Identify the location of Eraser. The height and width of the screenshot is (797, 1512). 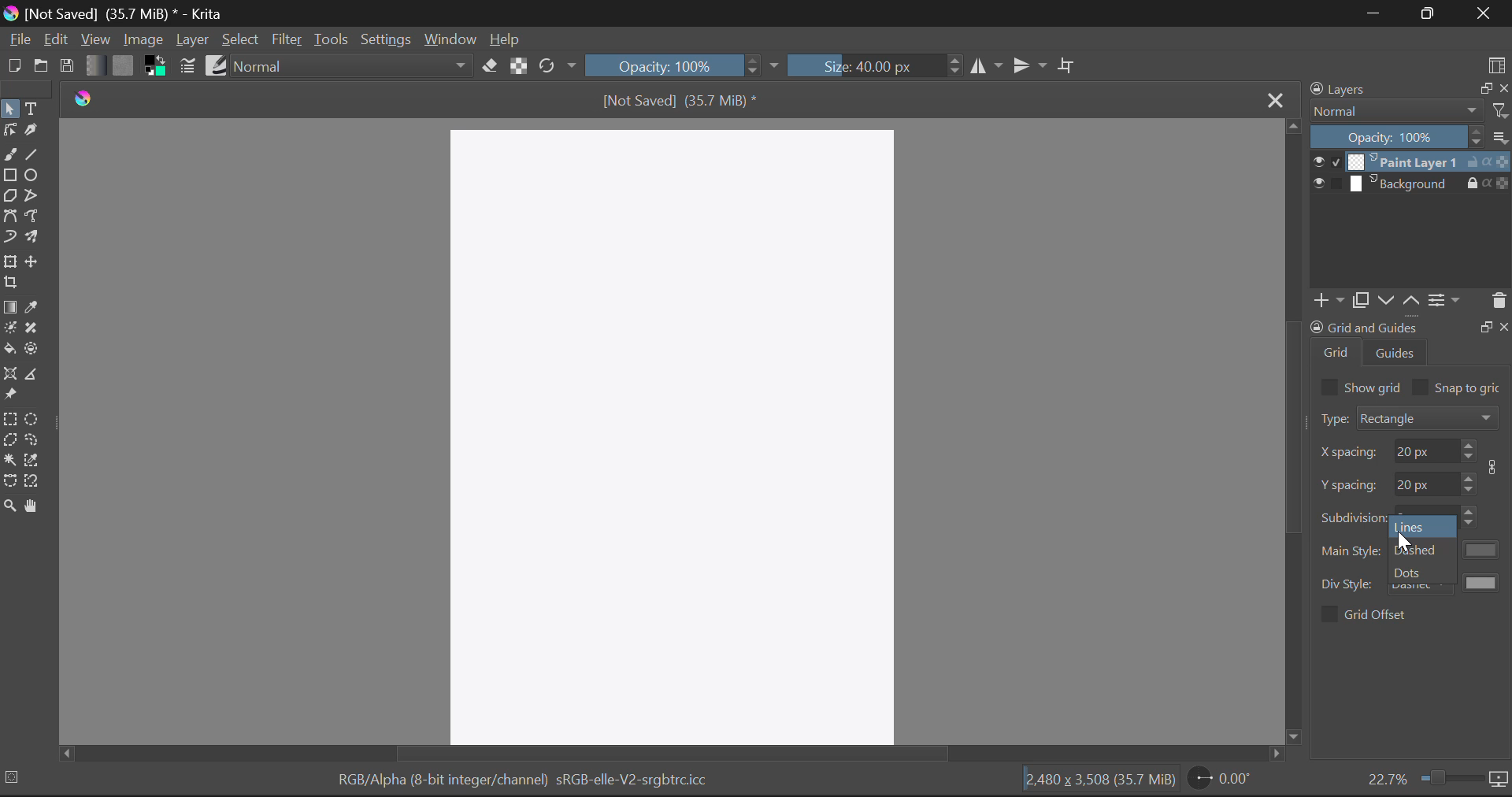
(490, 66).